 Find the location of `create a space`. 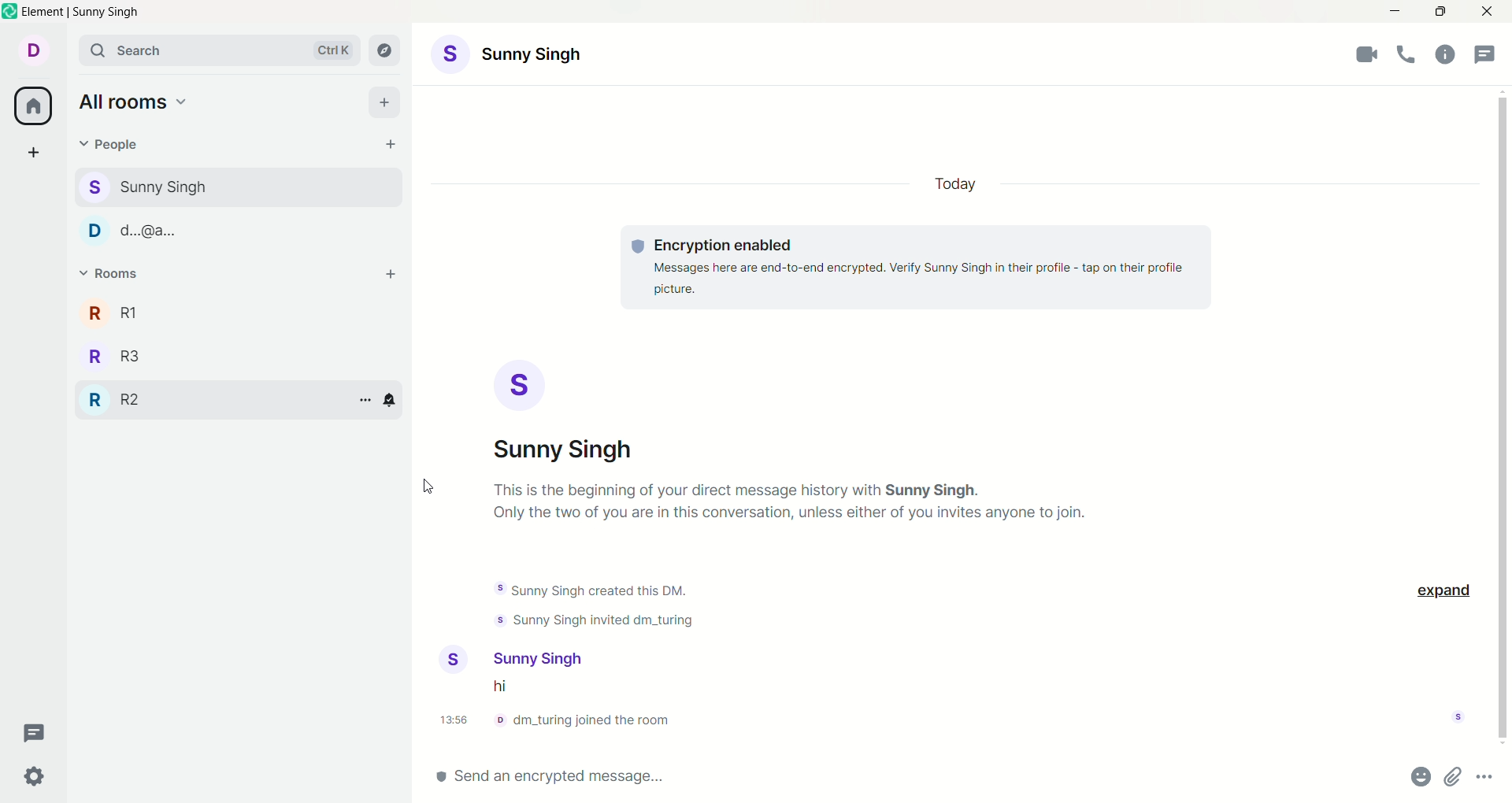

create a space is located at coordinates (36, 152).